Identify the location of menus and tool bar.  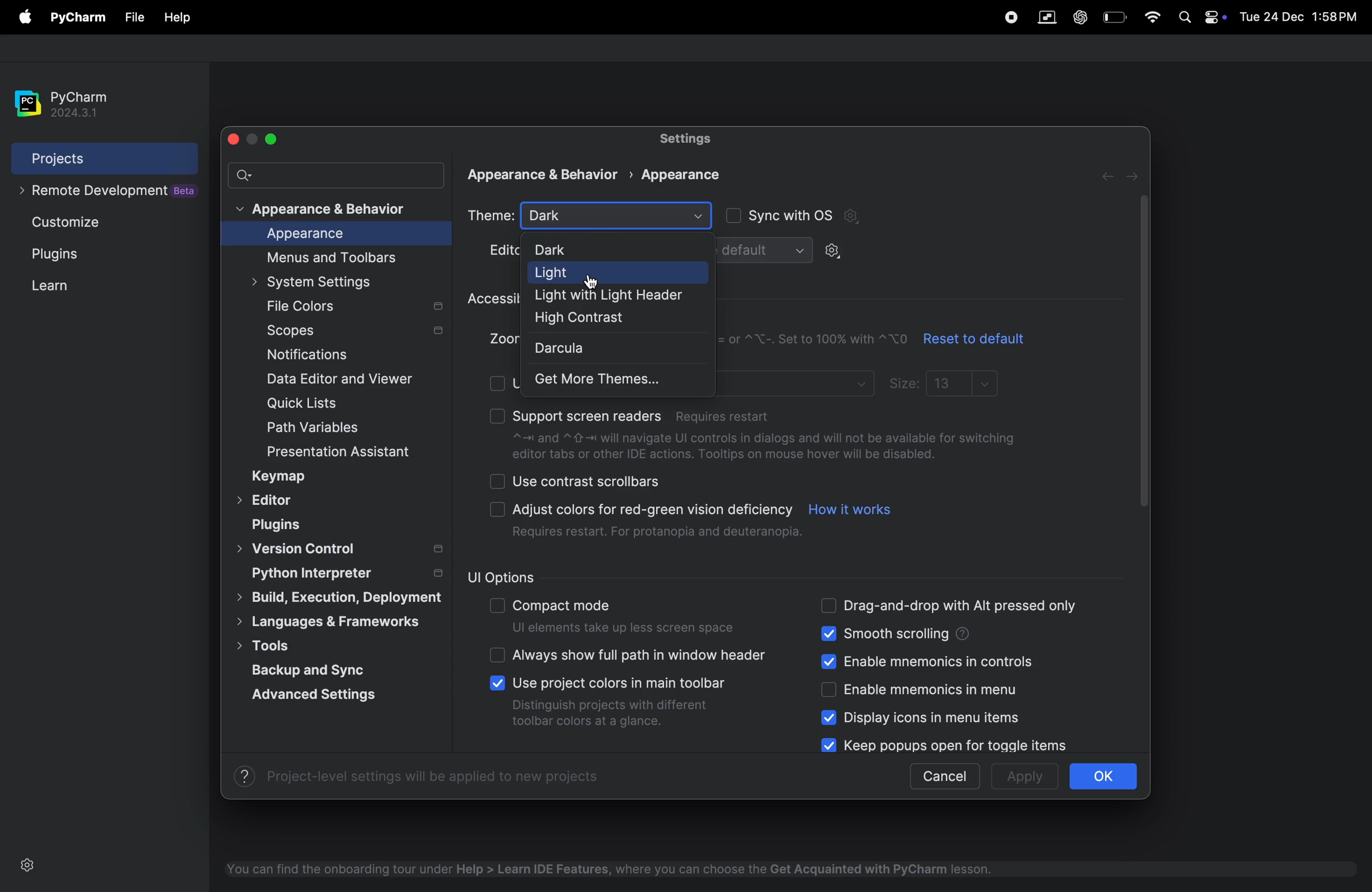
(335, 259).